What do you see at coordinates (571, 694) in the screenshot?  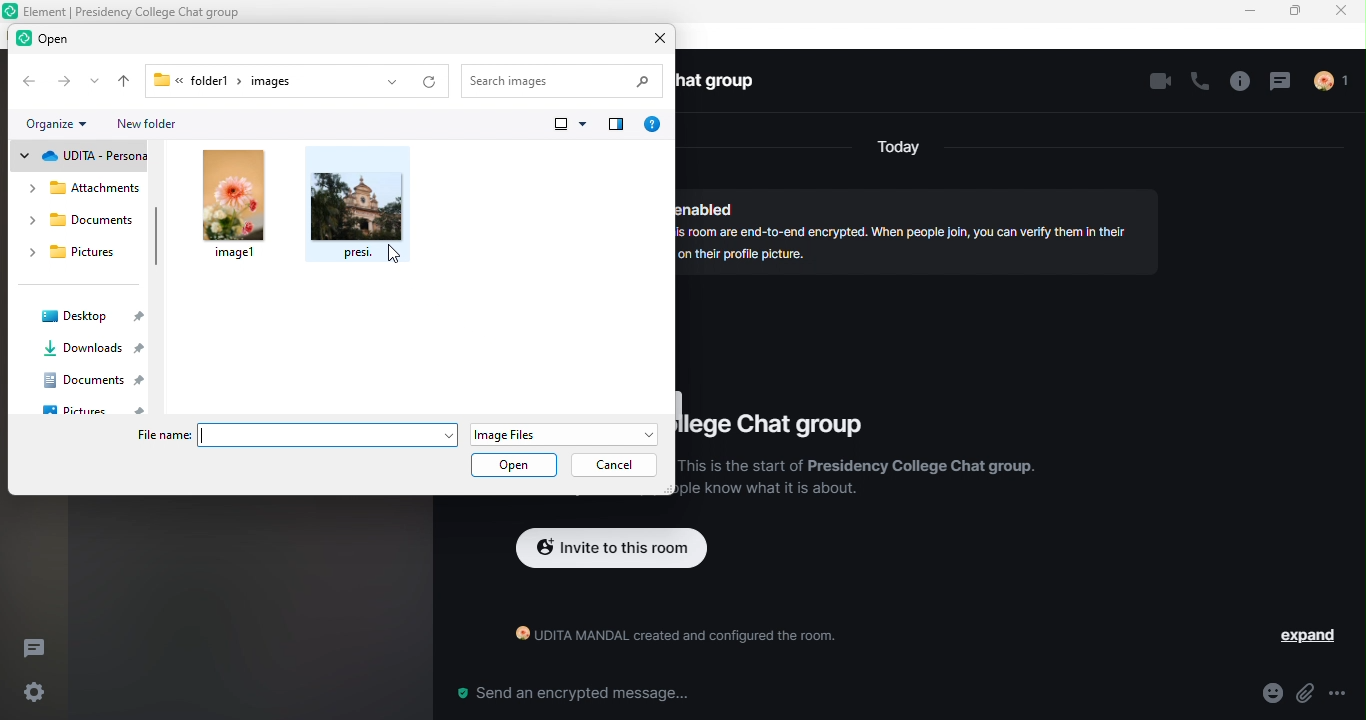 I see `send an encrypted message` at bounding box center [571, 694].